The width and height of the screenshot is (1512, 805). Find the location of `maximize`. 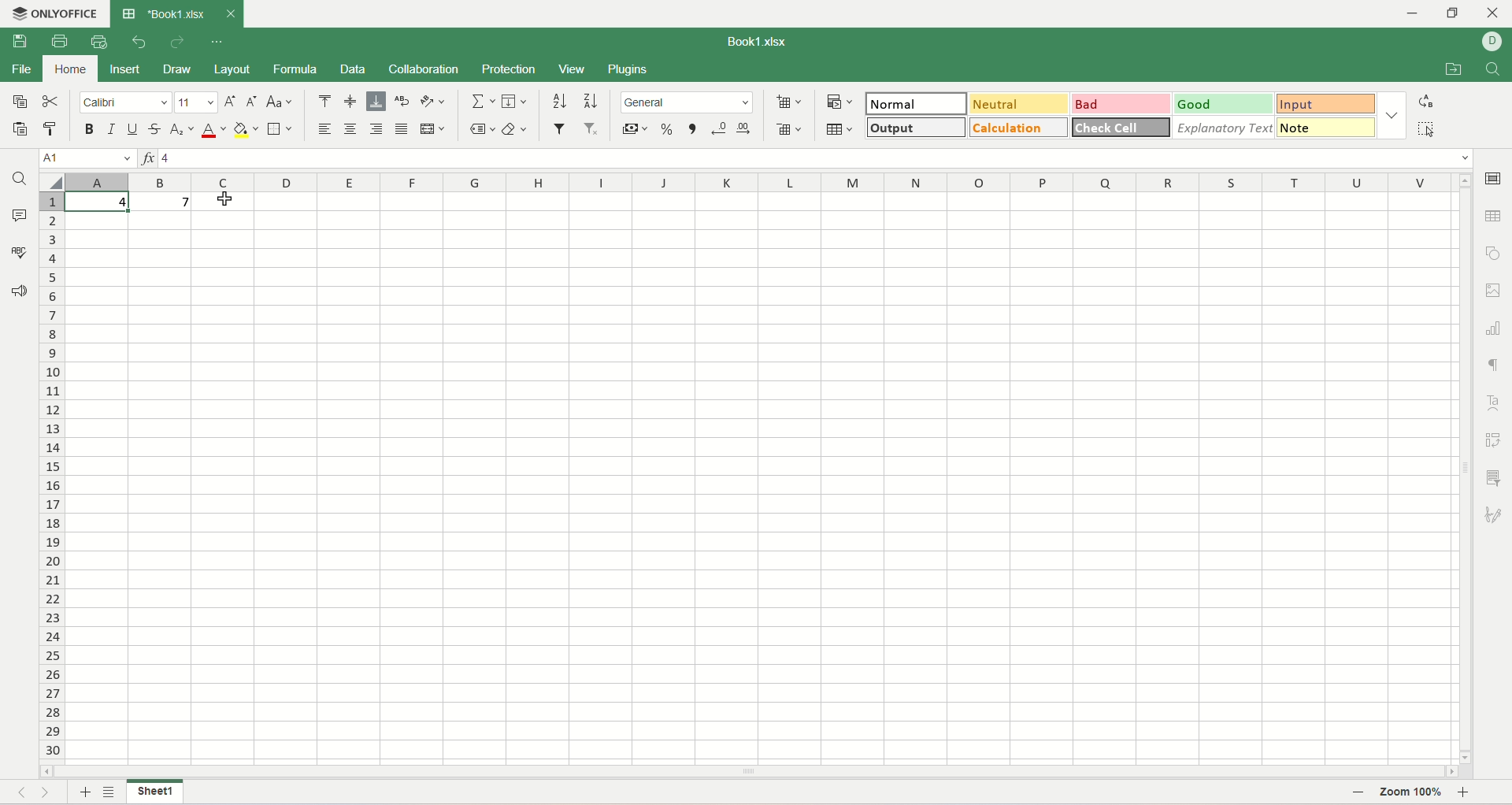

maximize is located at coordinates (1453, 13).